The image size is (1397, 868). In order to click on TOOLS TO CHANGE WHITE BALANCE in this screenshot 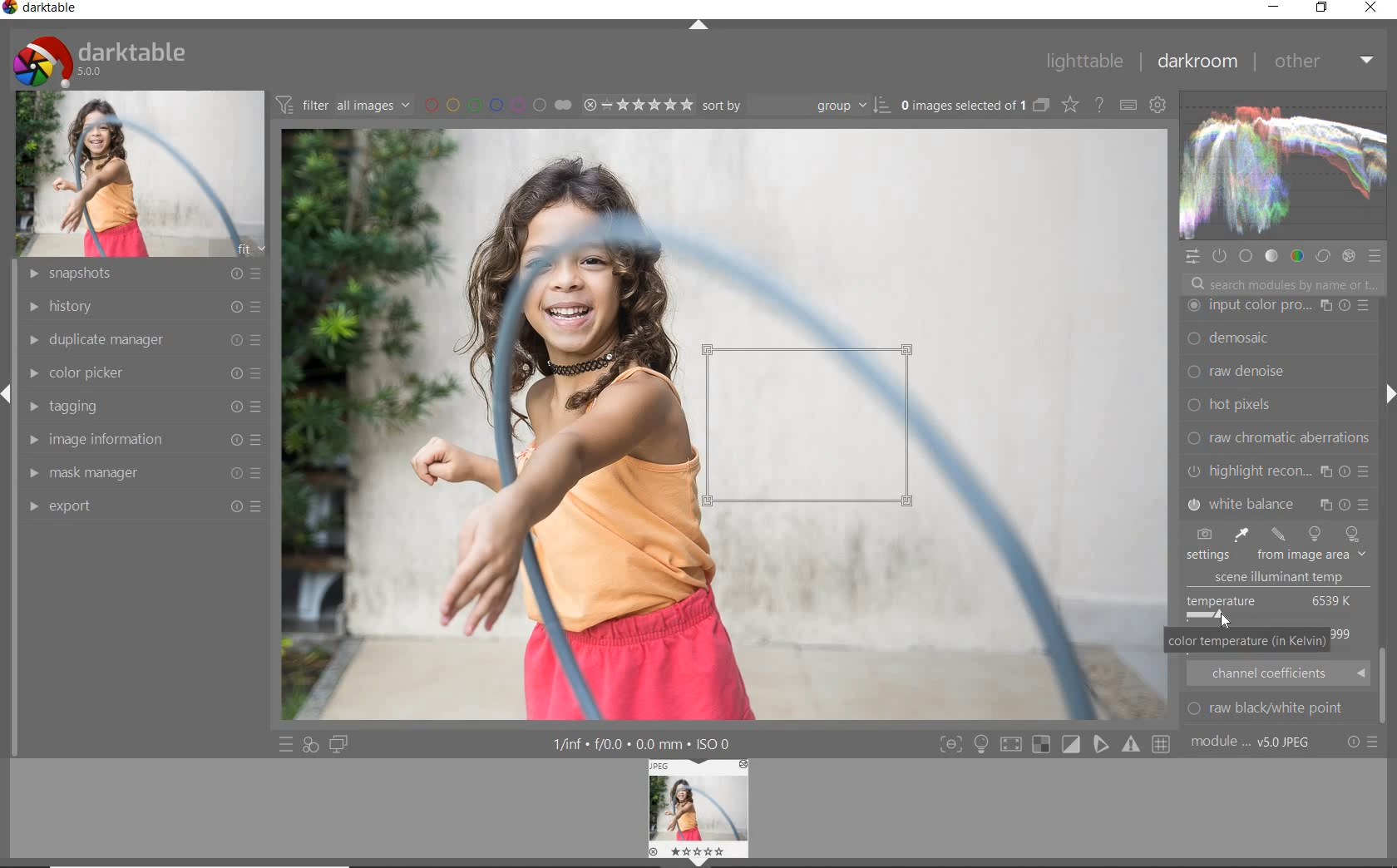, I will do `click(1275, 534)`.